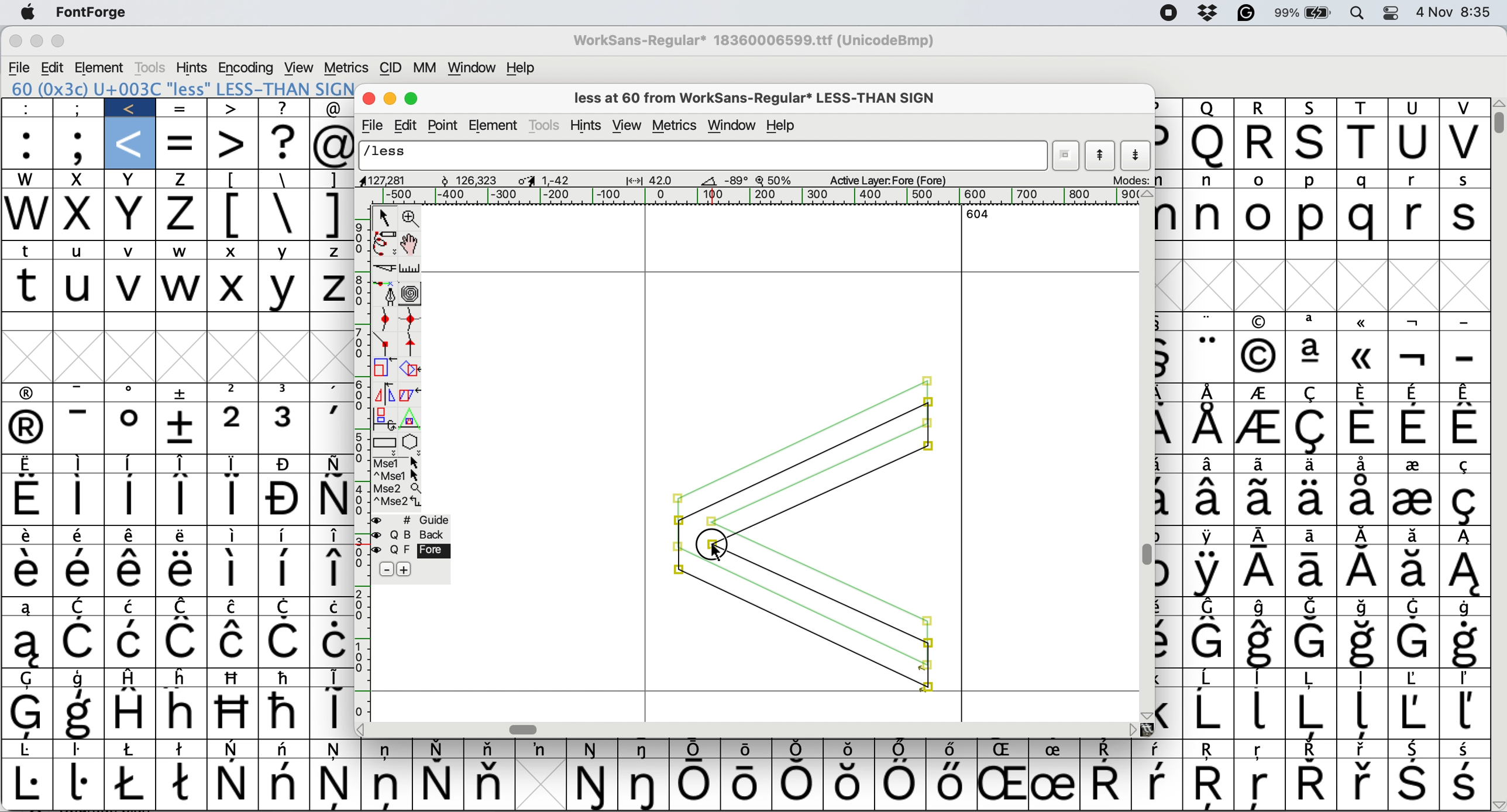 Image resolution: width=1507 pixels, height=812 pixels. I want to click on change whether spiro is active or not, so click(411, 293).